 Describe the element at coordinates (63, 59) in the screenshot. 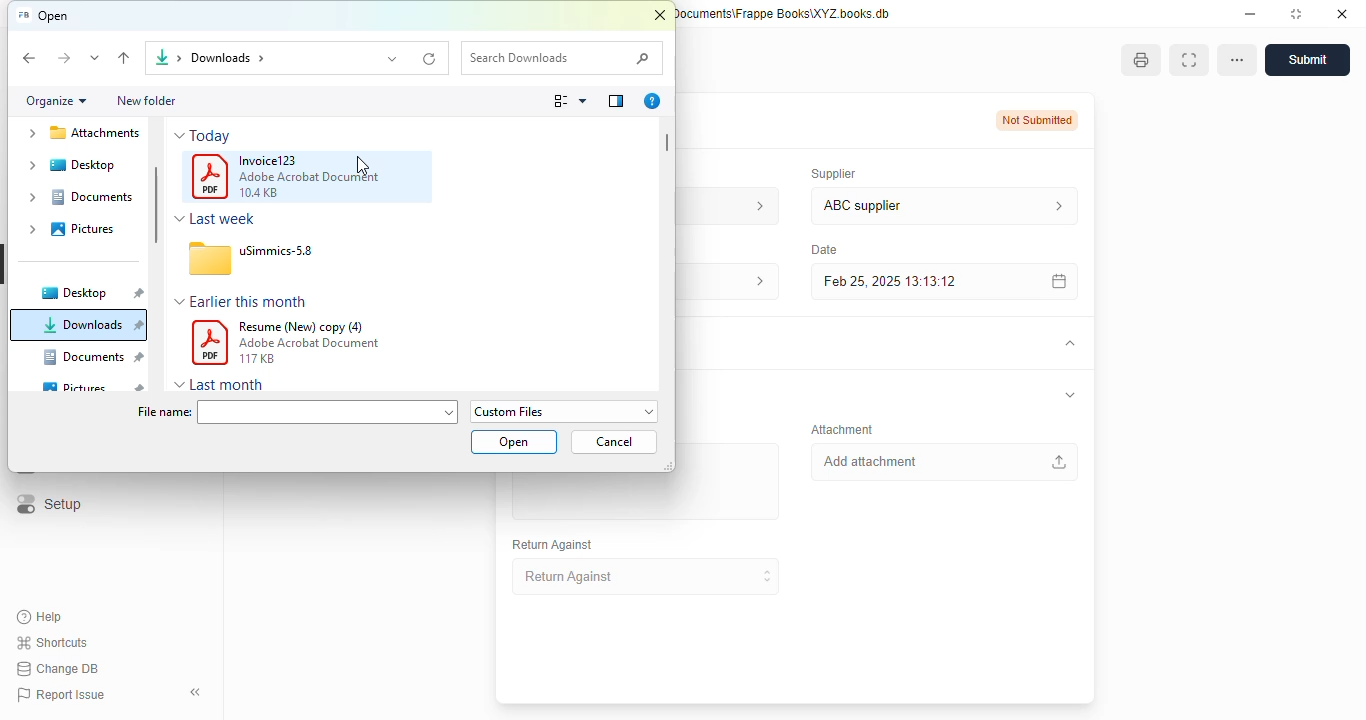

I see `forward` at that location.